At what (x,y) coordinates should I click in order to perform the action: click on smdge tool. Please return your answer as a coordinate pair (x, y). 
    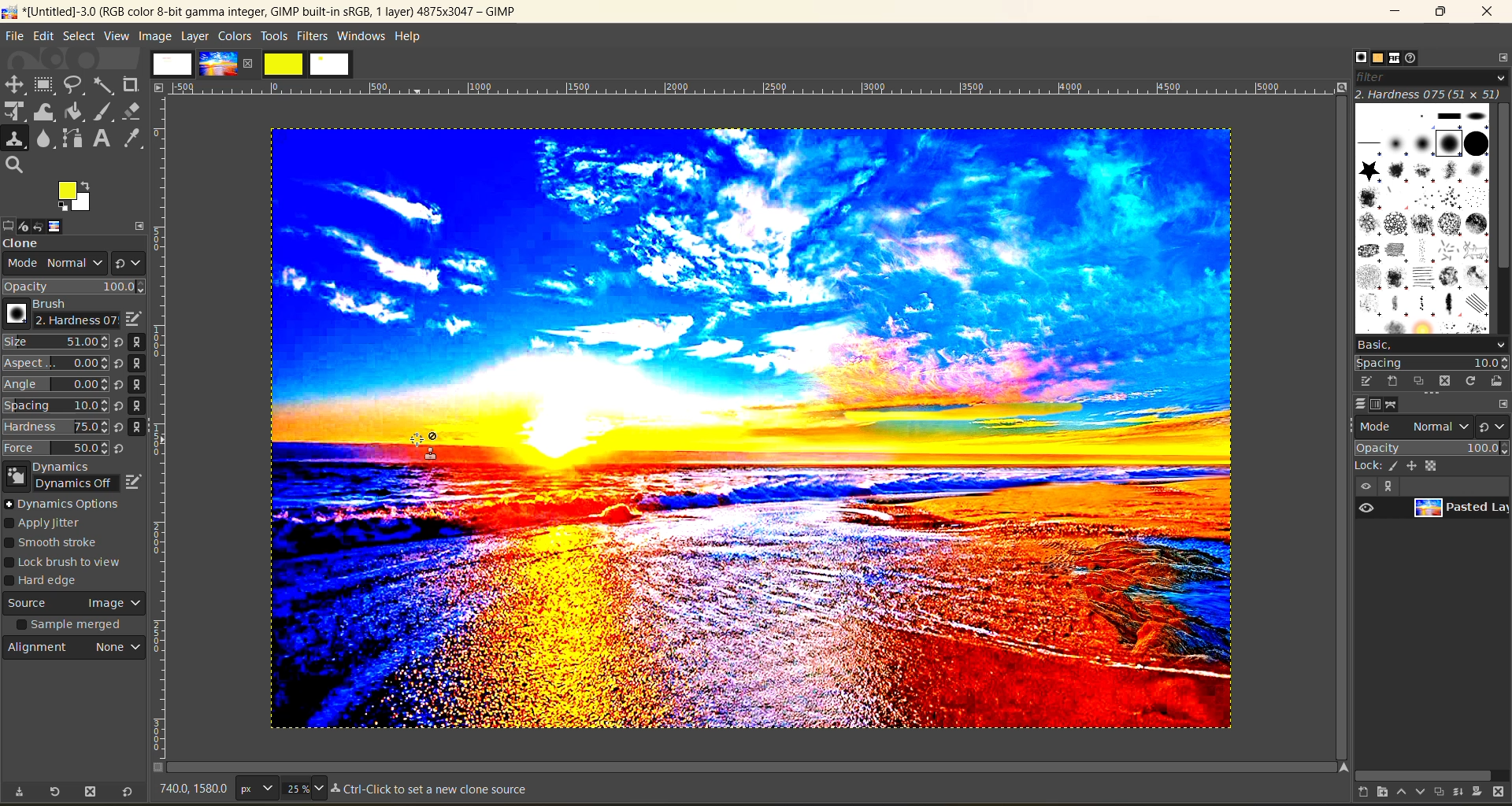
    Looking at the image, I should click on (45, 140).